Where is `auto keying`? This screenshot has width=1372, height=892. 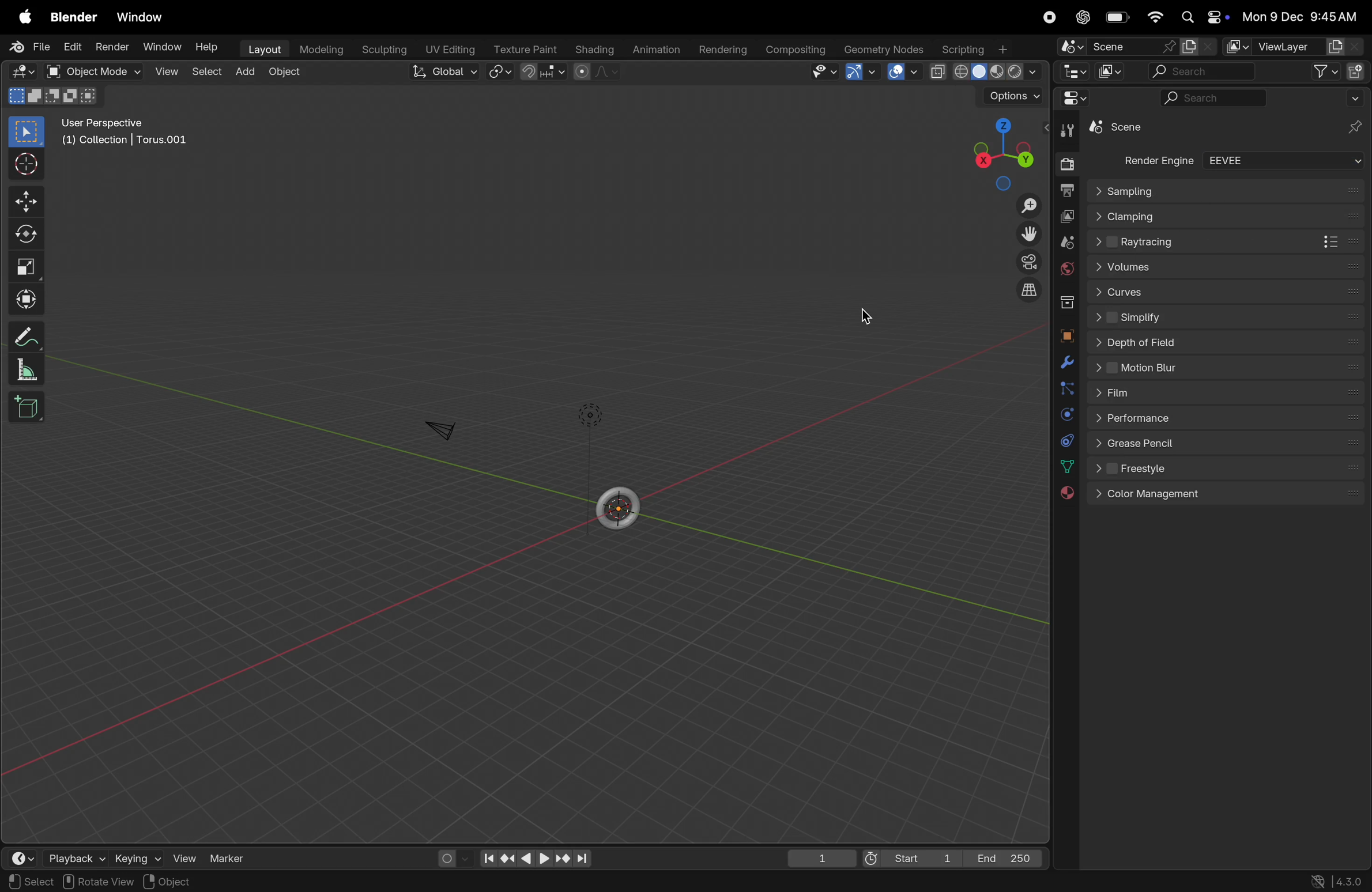
auto keying is located at coordinates (447, 857).